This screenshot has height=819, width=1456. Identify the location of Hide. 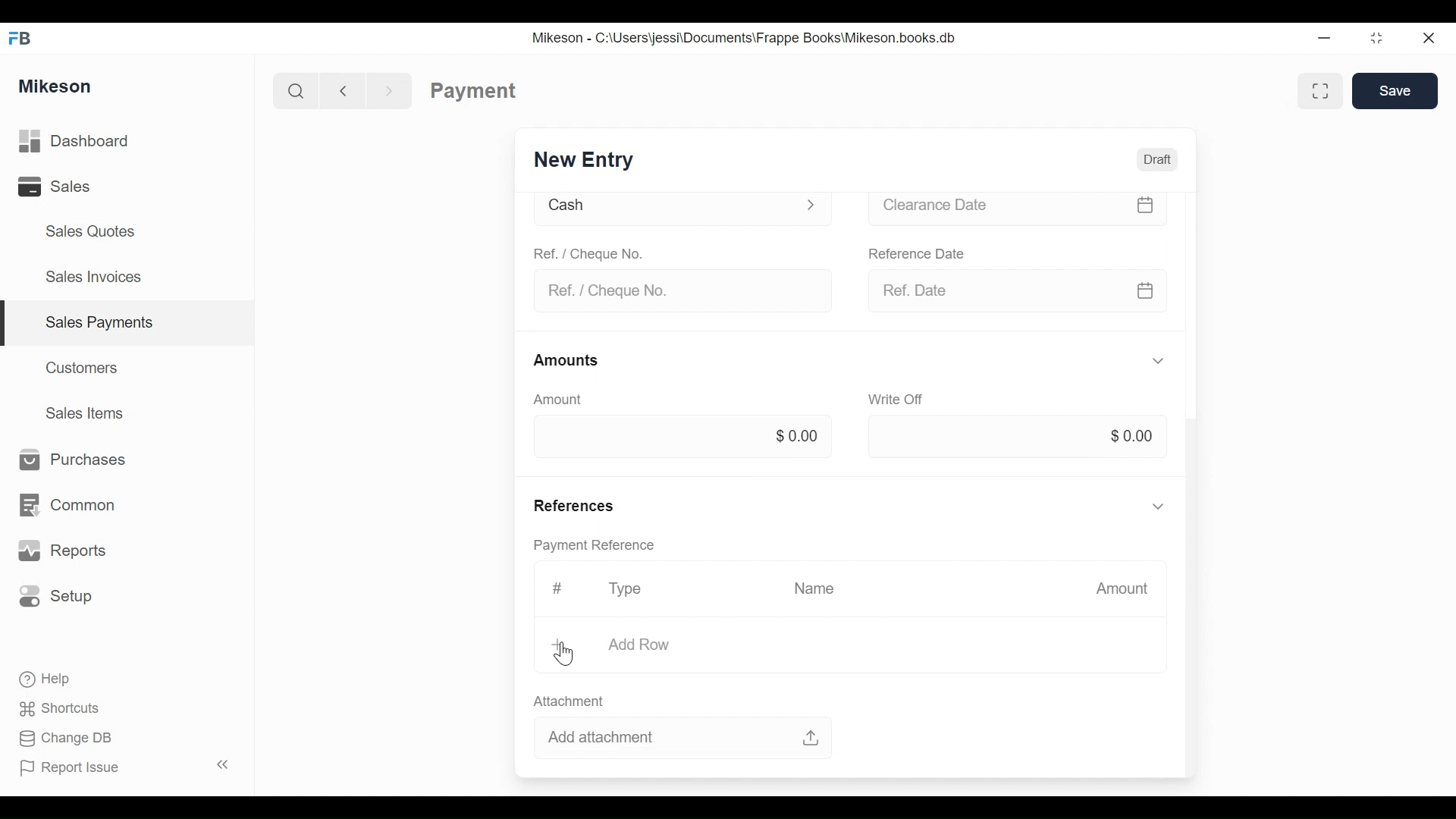
(1158, 360).